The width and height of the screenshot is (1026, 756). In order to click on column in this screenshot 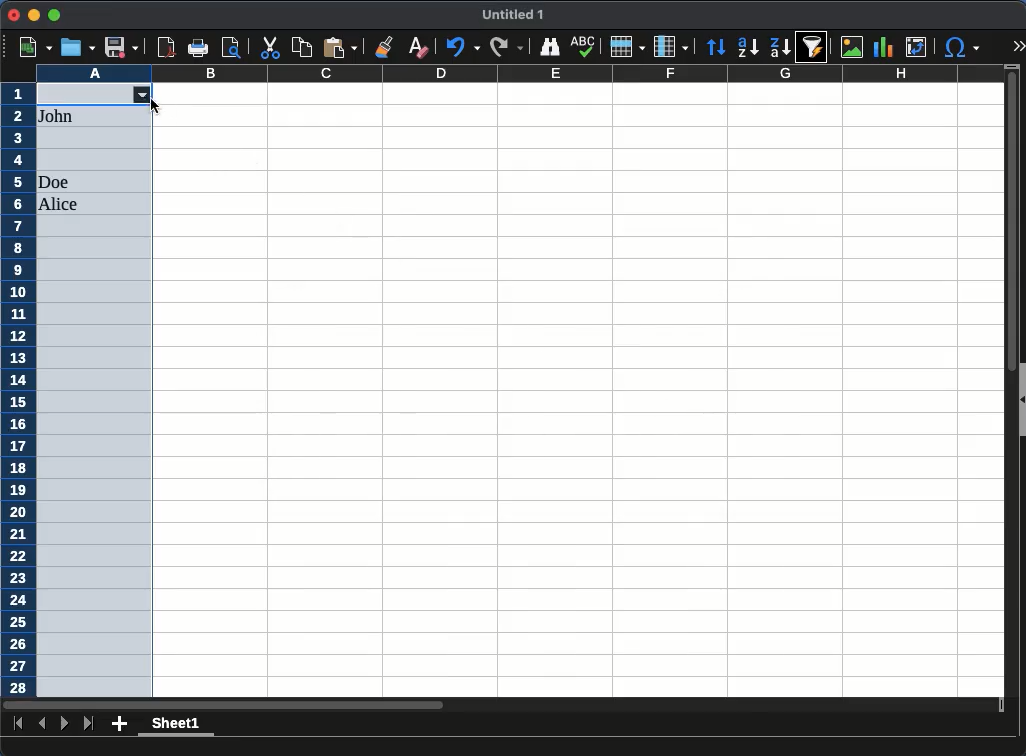, I will do `click(671, 45)`.